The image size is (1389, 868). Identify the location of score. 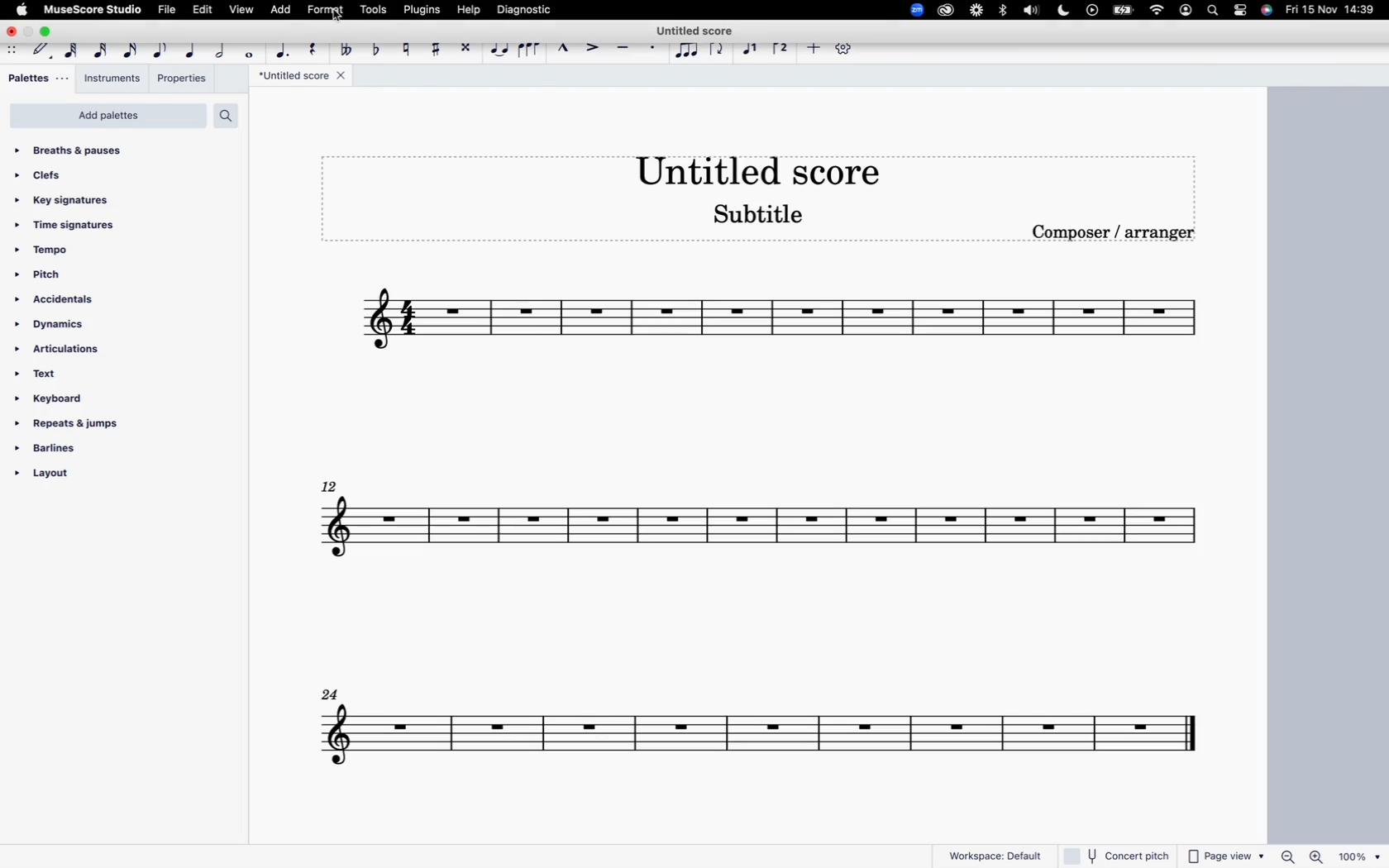
(775, 727).